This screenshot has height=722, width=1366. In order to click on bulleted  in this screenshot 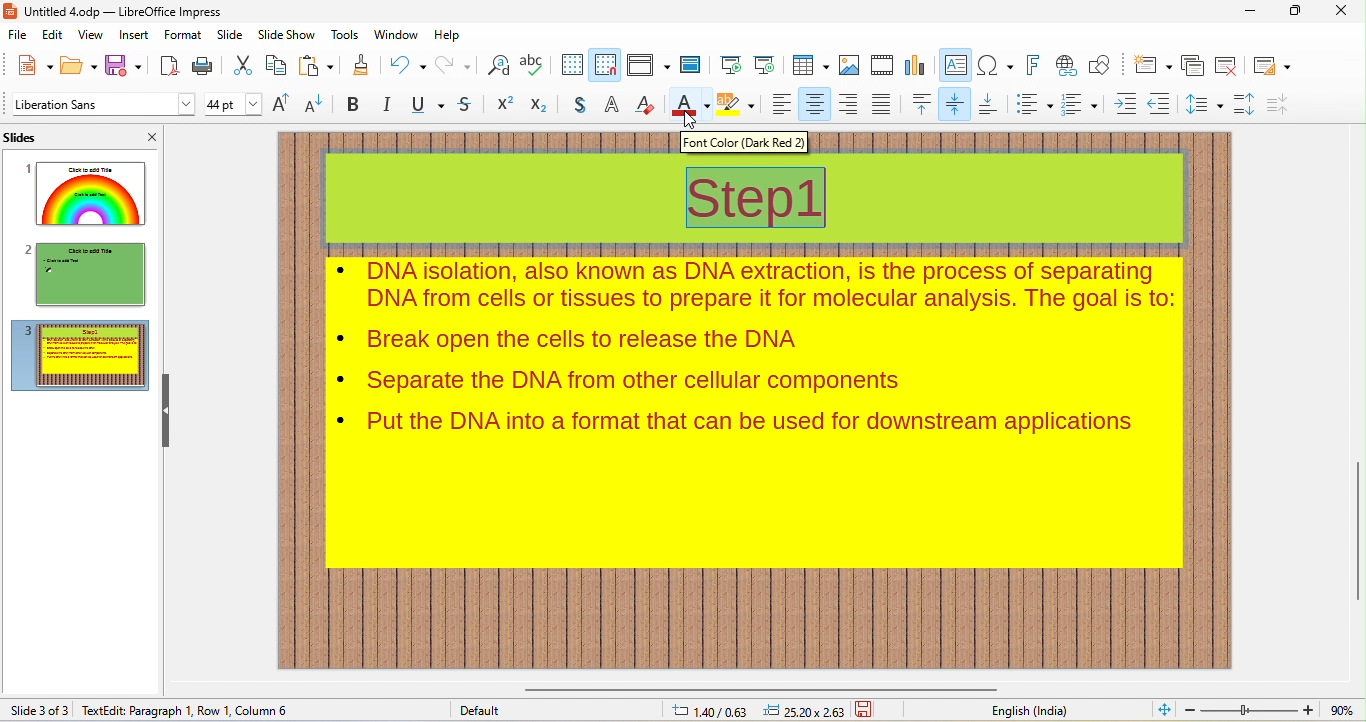, I will do `click(1032, 104)`.